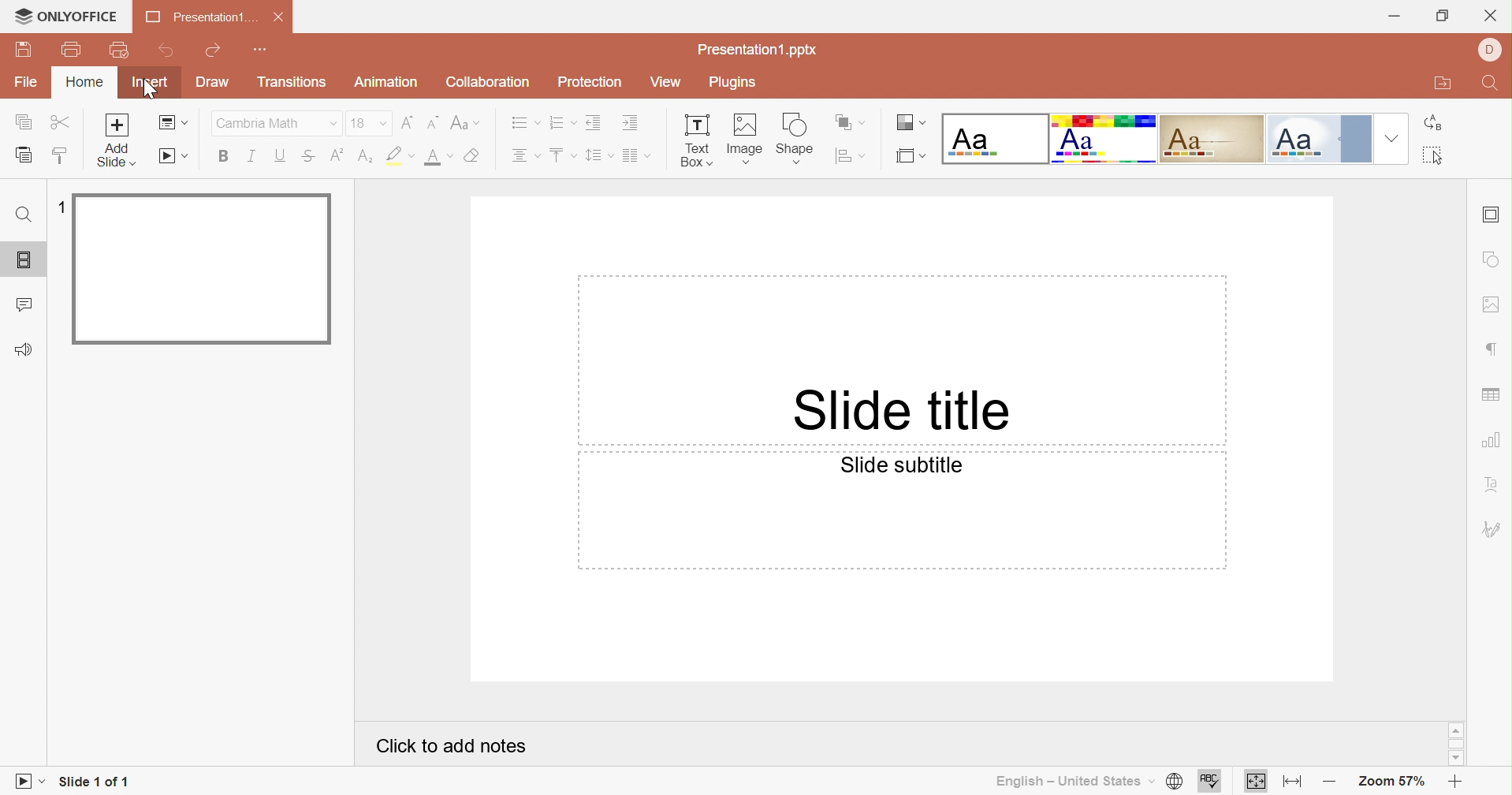 This screenshot has width=1512, height=795. Describe the element at coordinates (1175, 782) in the screenshot. I see `Set document language` at that location.